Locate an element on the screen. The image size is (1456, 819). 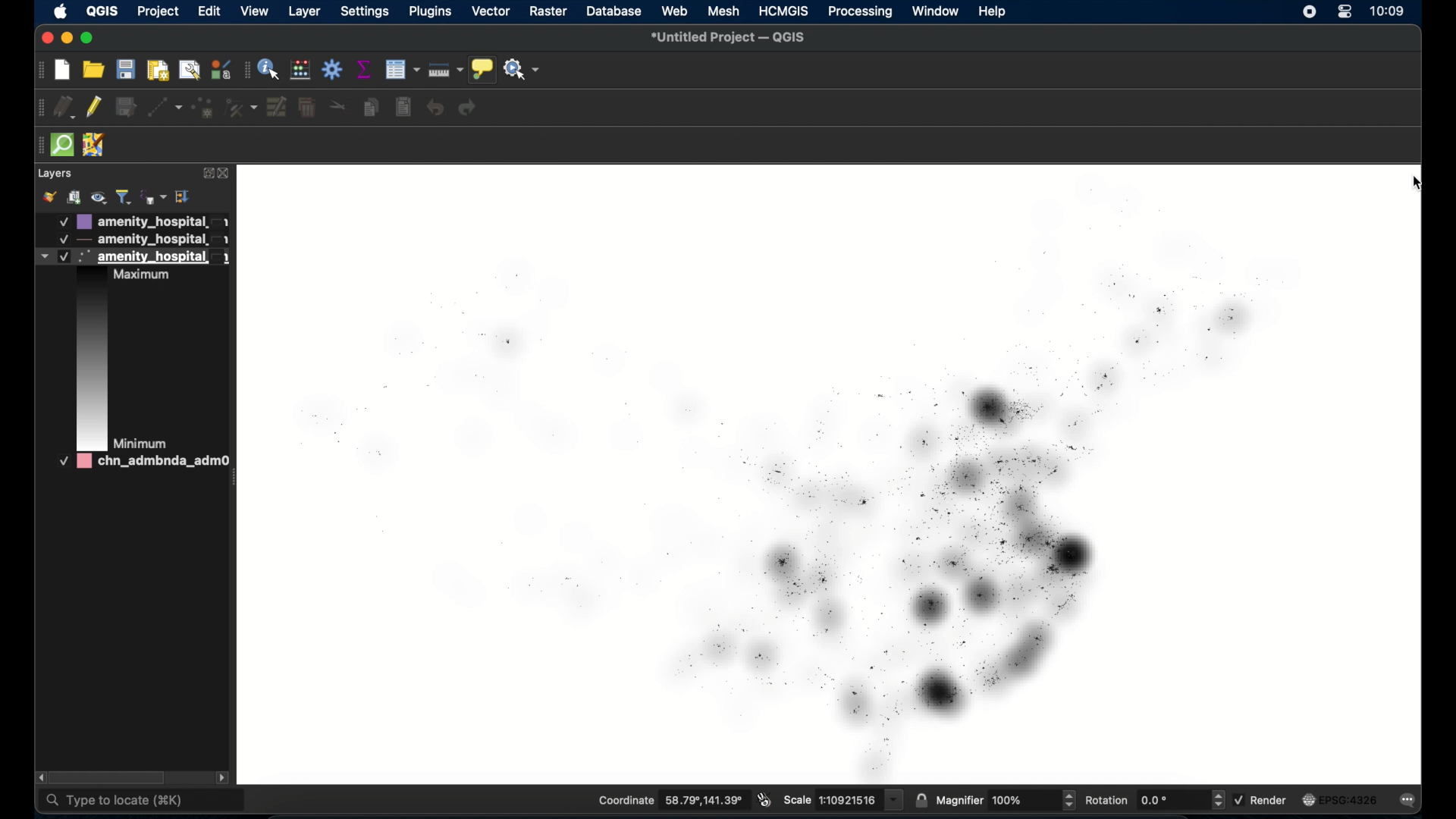
plugins is located at coordinates (431, 11).